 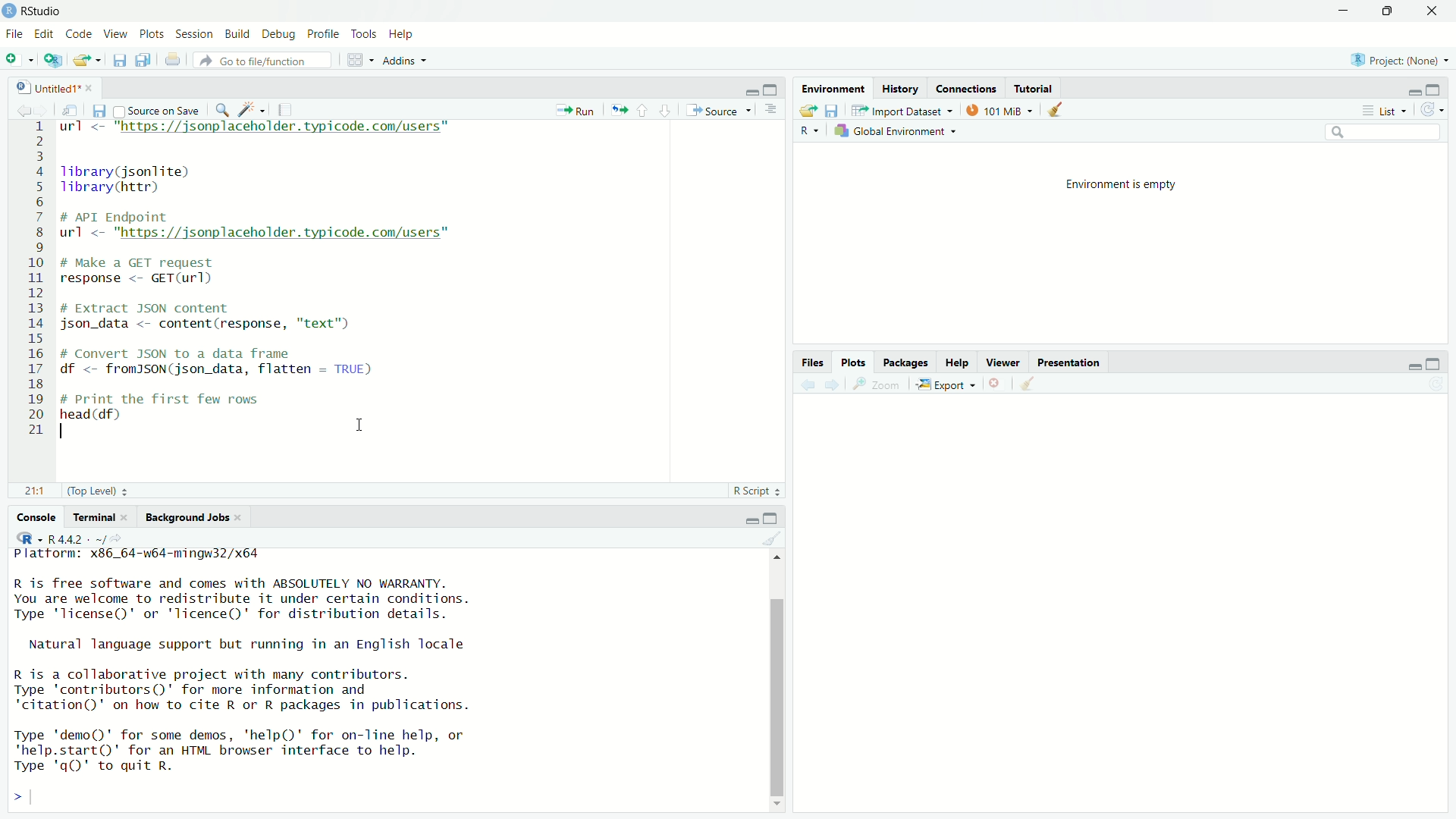 What do you see at coordinates (102, 518) in the screenshot?
I see `Terminal` at bounding box center [102, 518].